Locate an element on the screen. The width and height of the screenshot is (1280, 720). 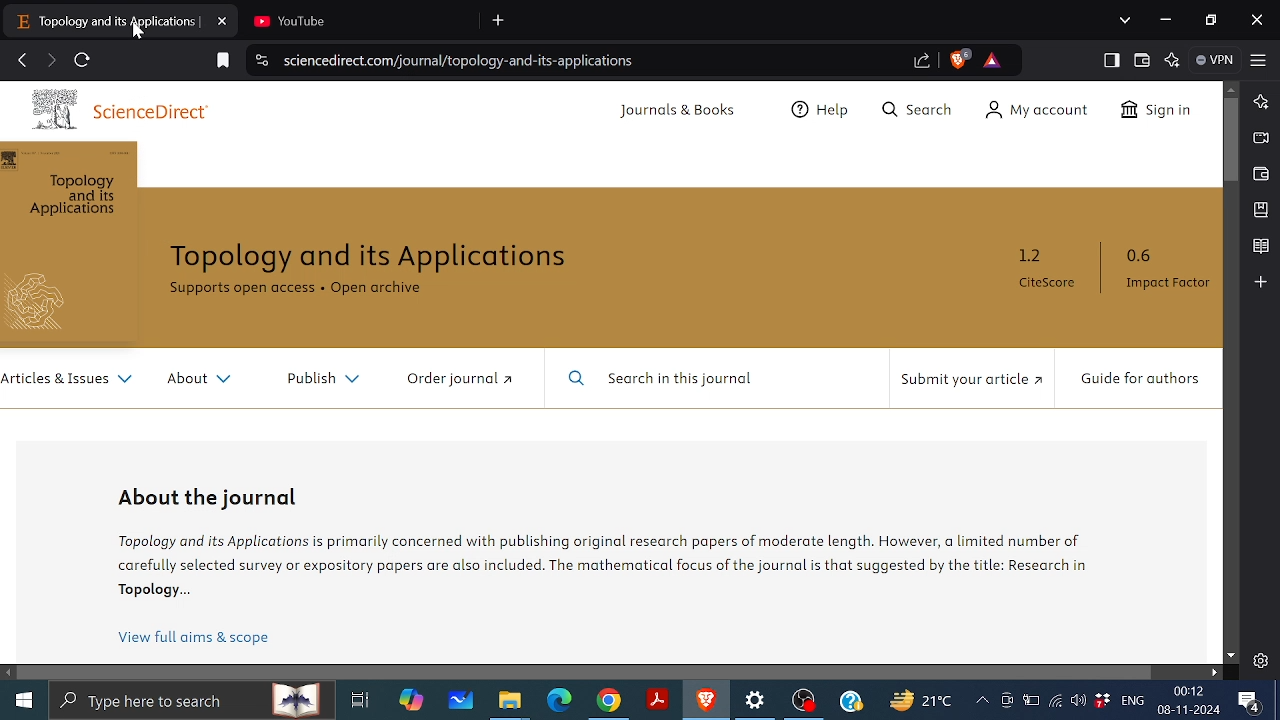
Start is located at coordinates (22, 697).